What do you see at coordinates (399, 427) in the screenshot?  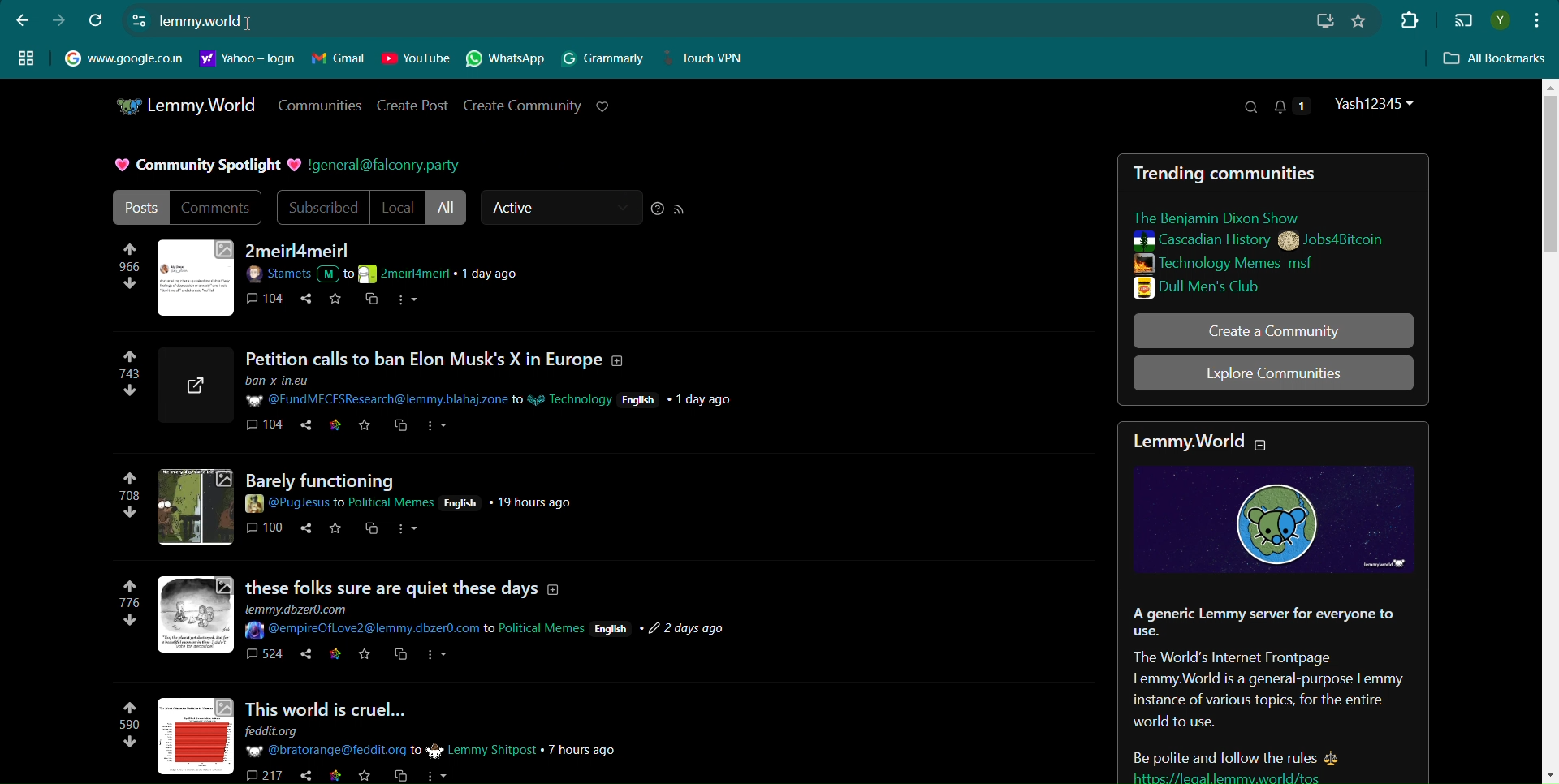 I see `copy` at bounding box center [399, 427].